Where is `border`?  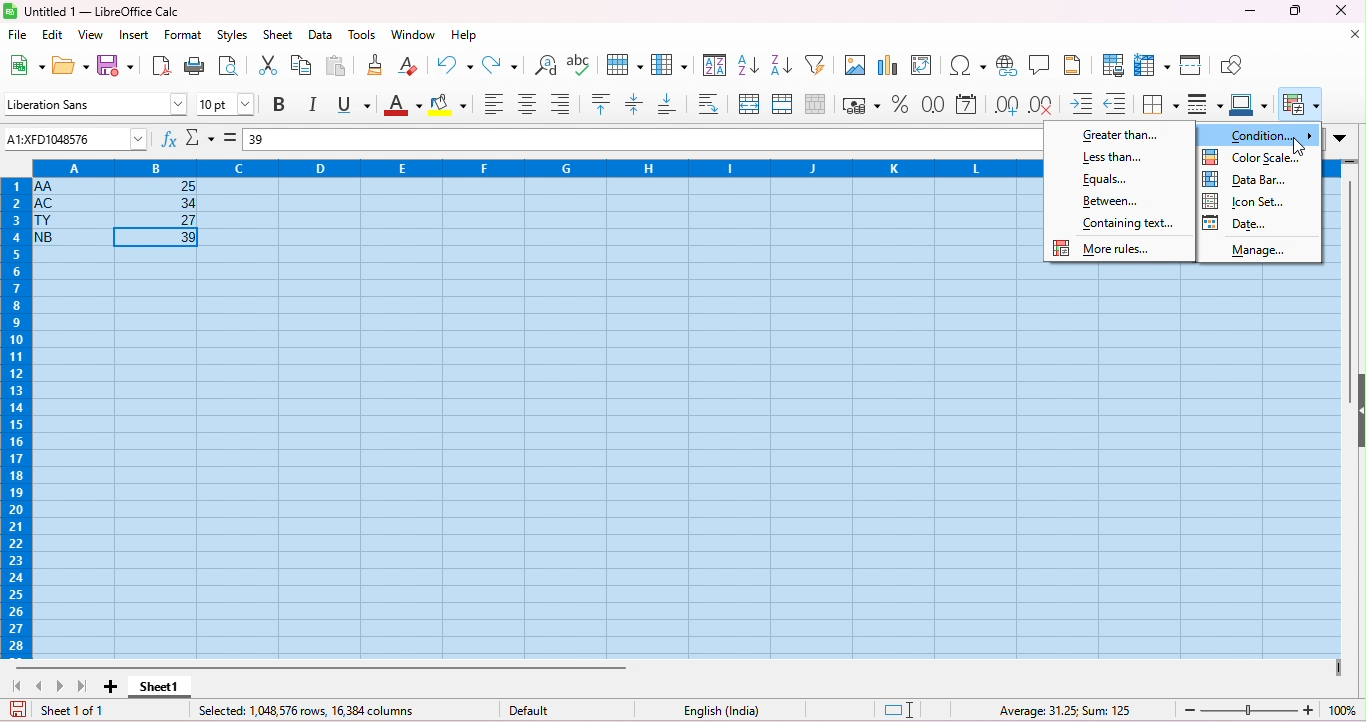 border is located at coordinates (1160, 105).